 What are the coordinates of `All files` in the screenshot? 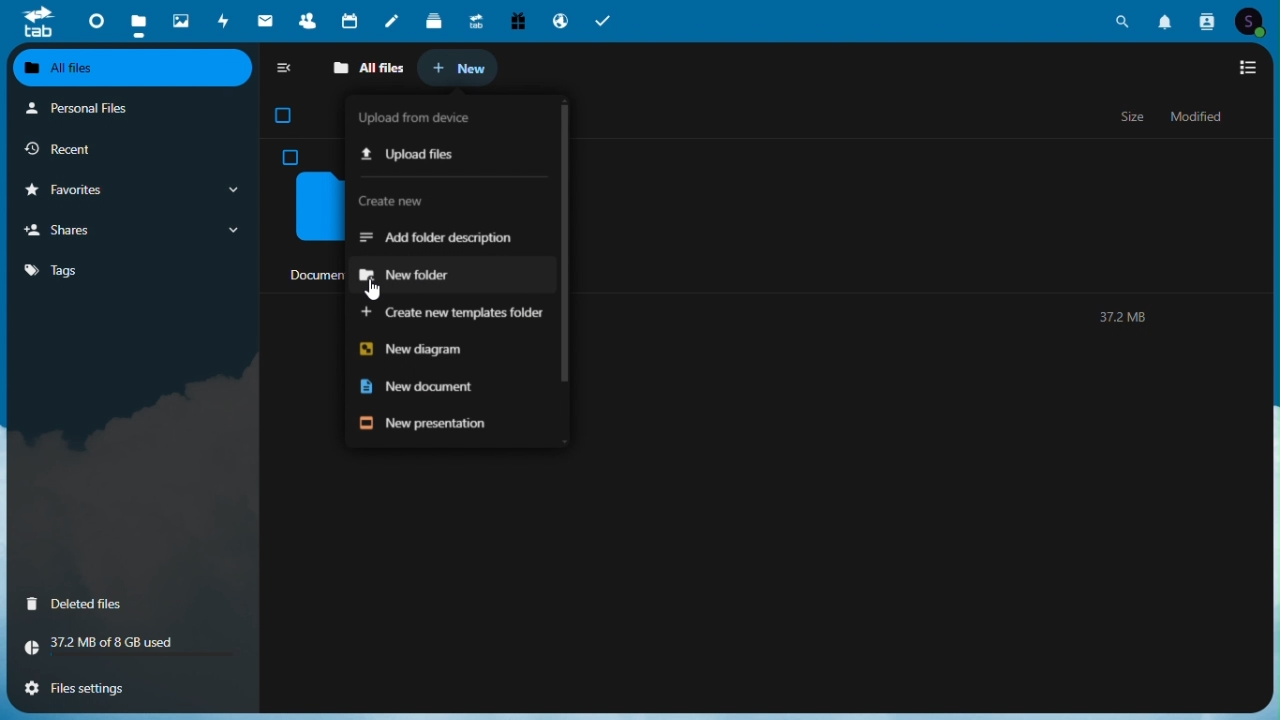 It's located at (128, 67).